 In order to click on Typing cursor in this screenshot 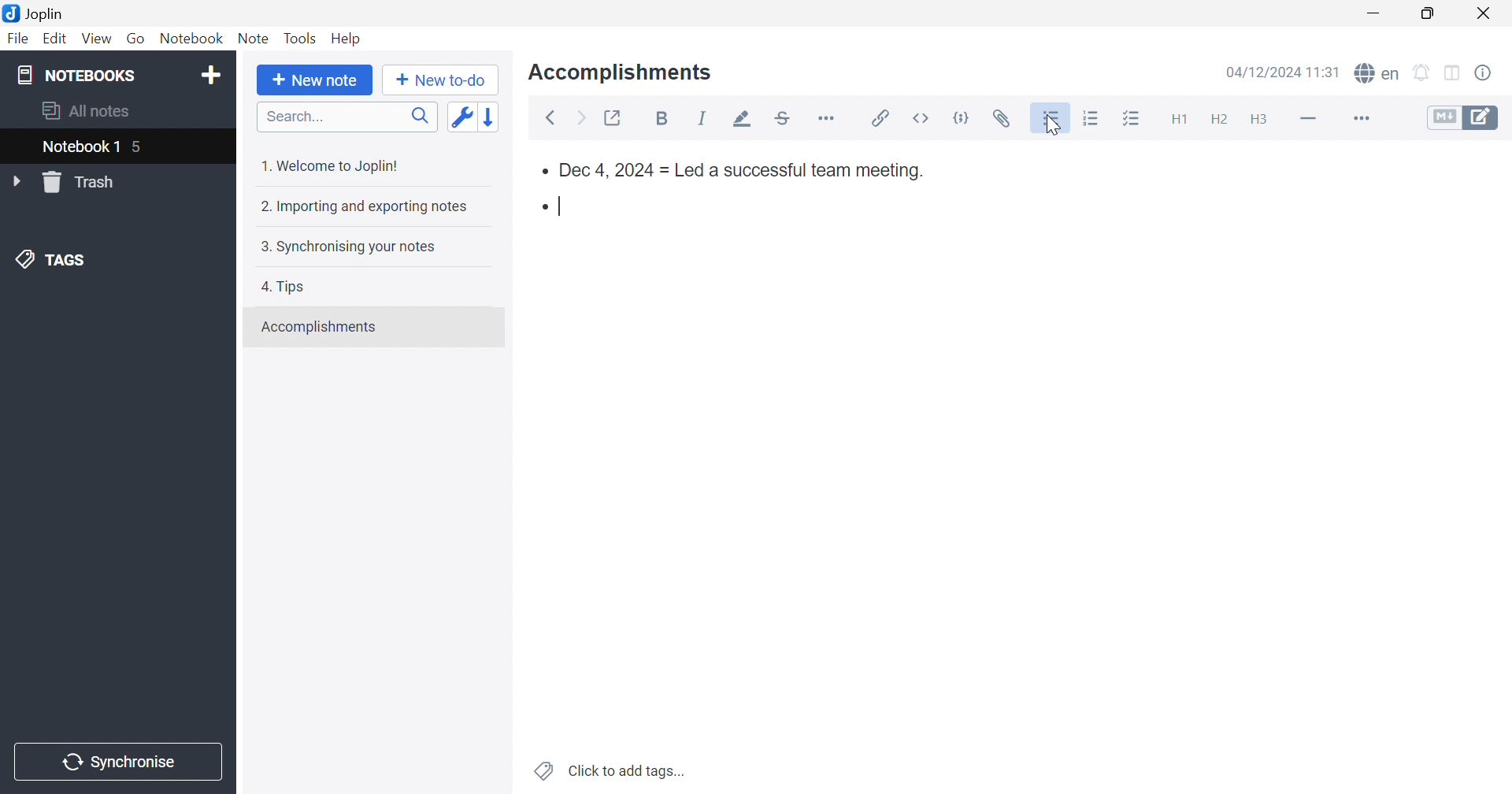, I will do `click(564, 206)`.